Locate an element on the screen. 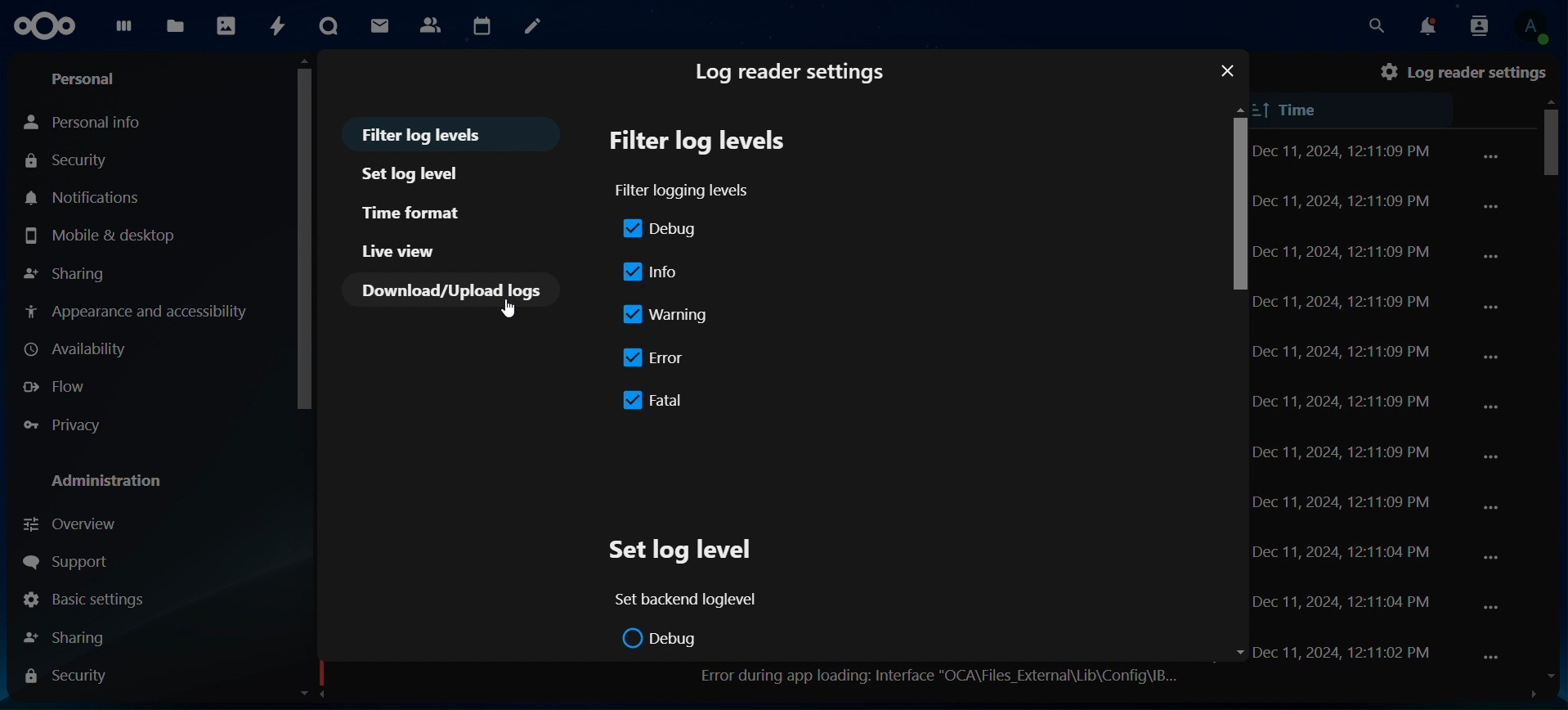 The width and height of the screenshot is (1568, 710). flow is located at coordinates (58, 388).